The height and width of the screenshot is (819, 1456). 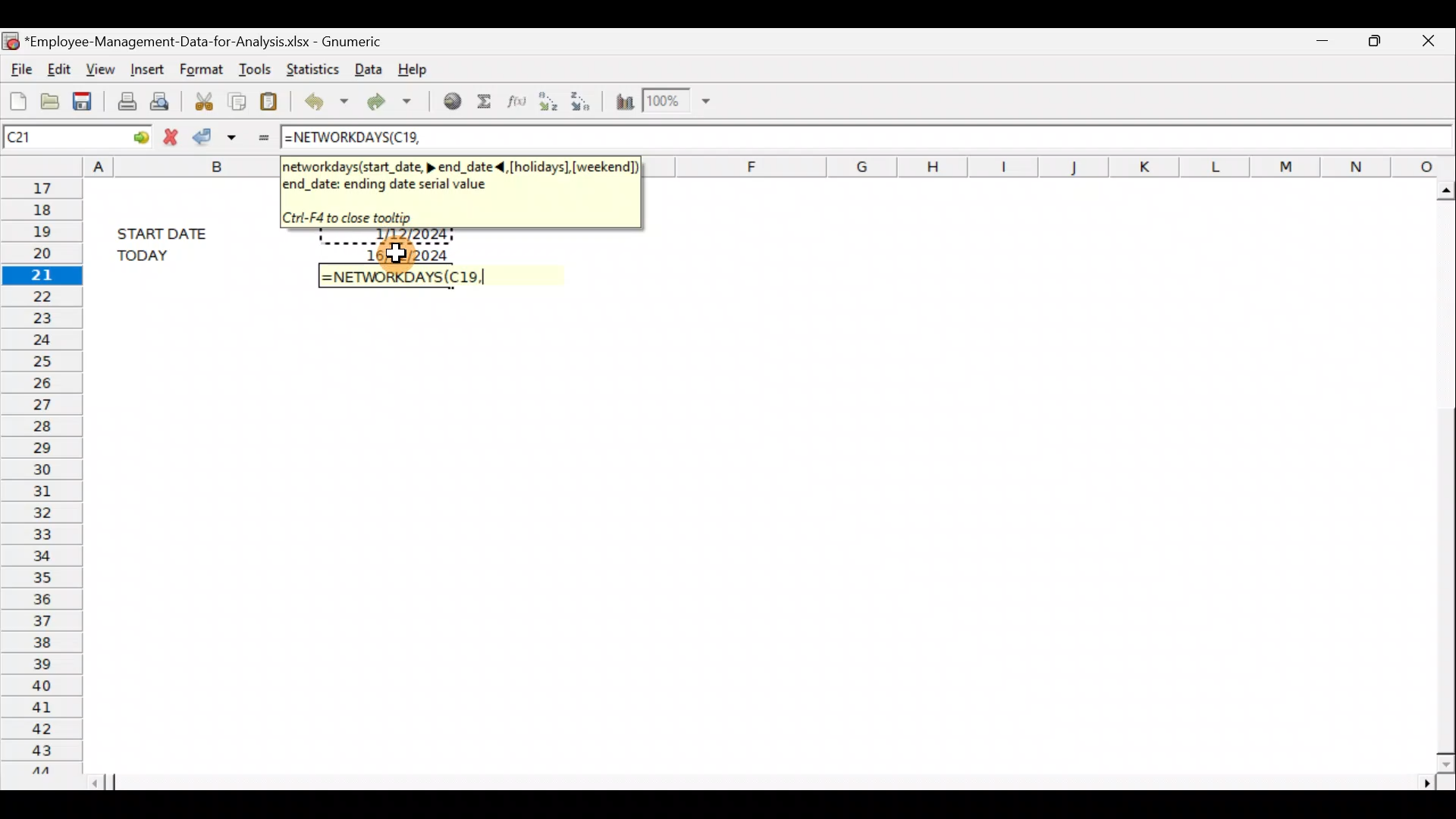 I want to click on Cells, so click(x=750, y=539).